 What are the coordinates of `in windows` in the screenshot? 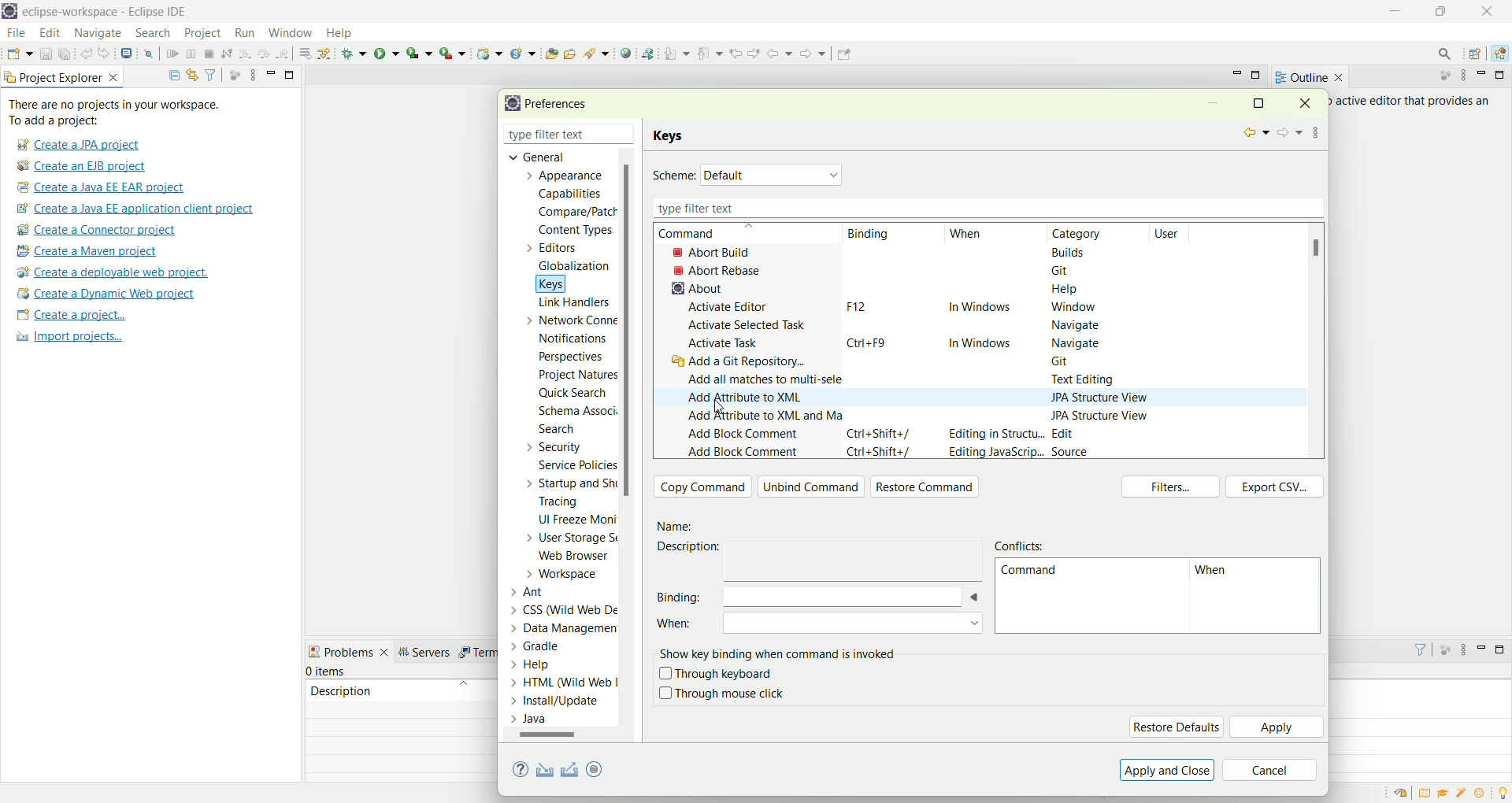 It's located at (980, 309).